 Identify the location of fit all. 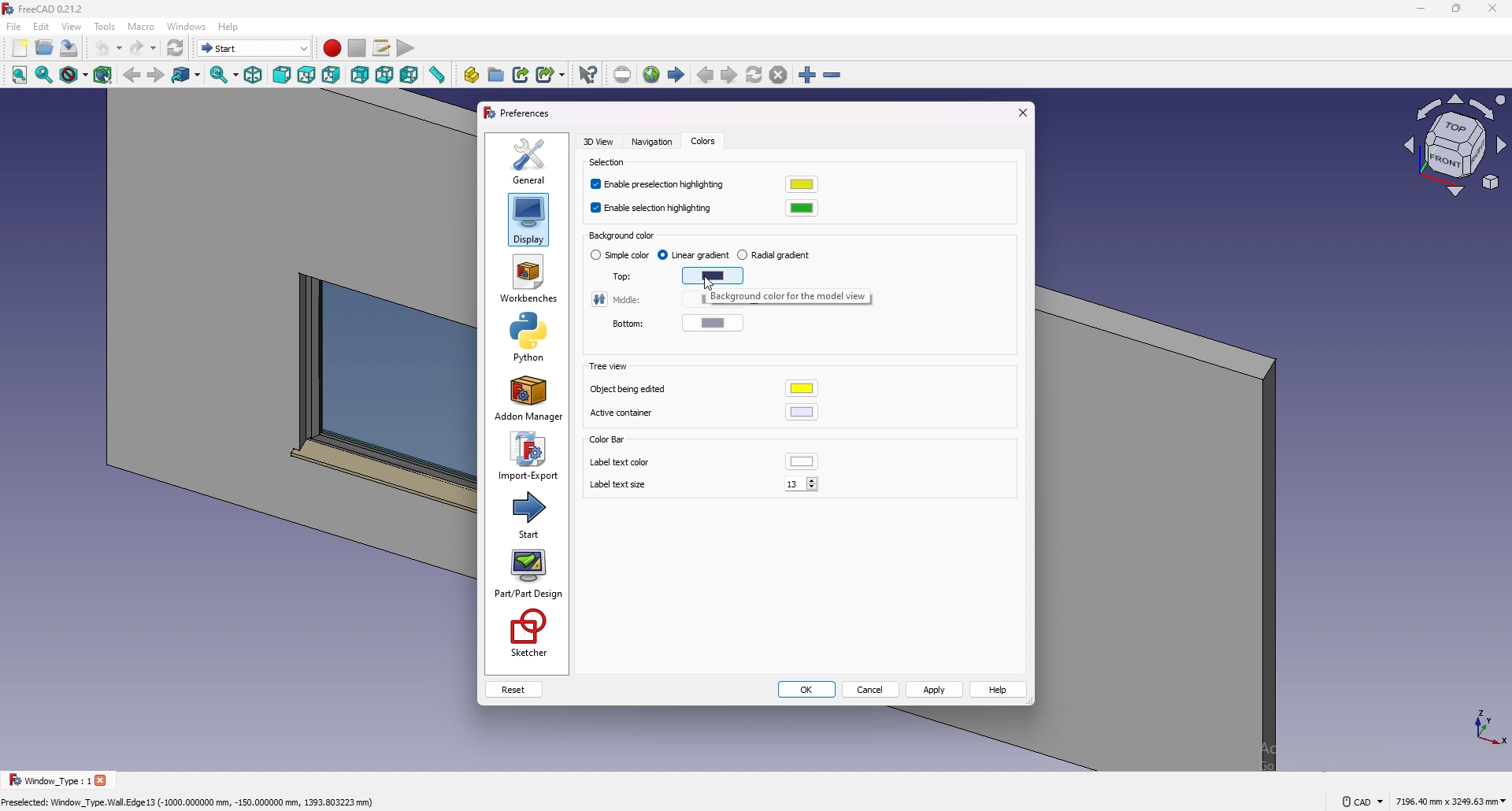
(17, 76).